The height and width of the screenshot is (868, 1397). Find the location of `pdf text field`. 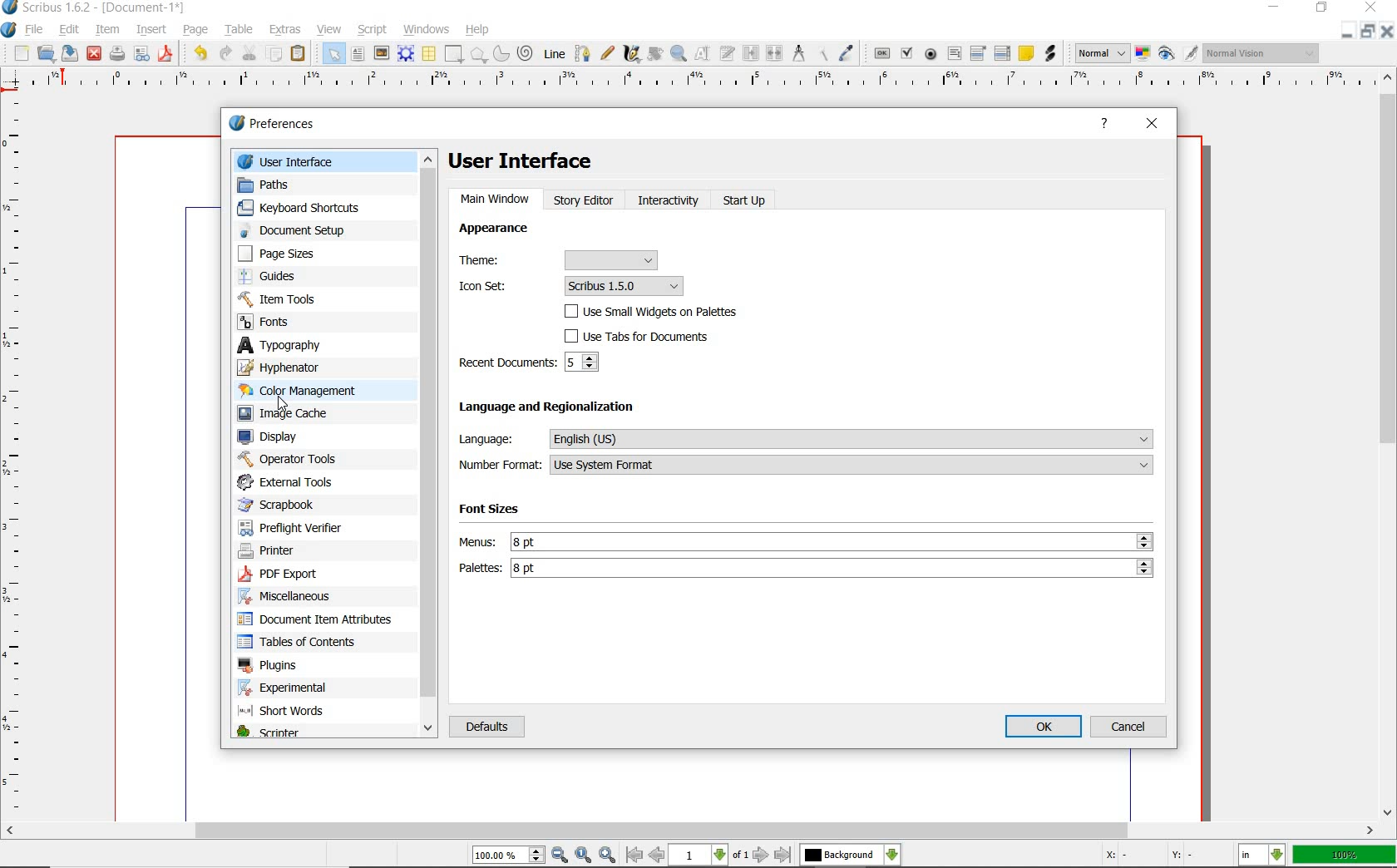

pdf text field is located at coordinates (954, 53).